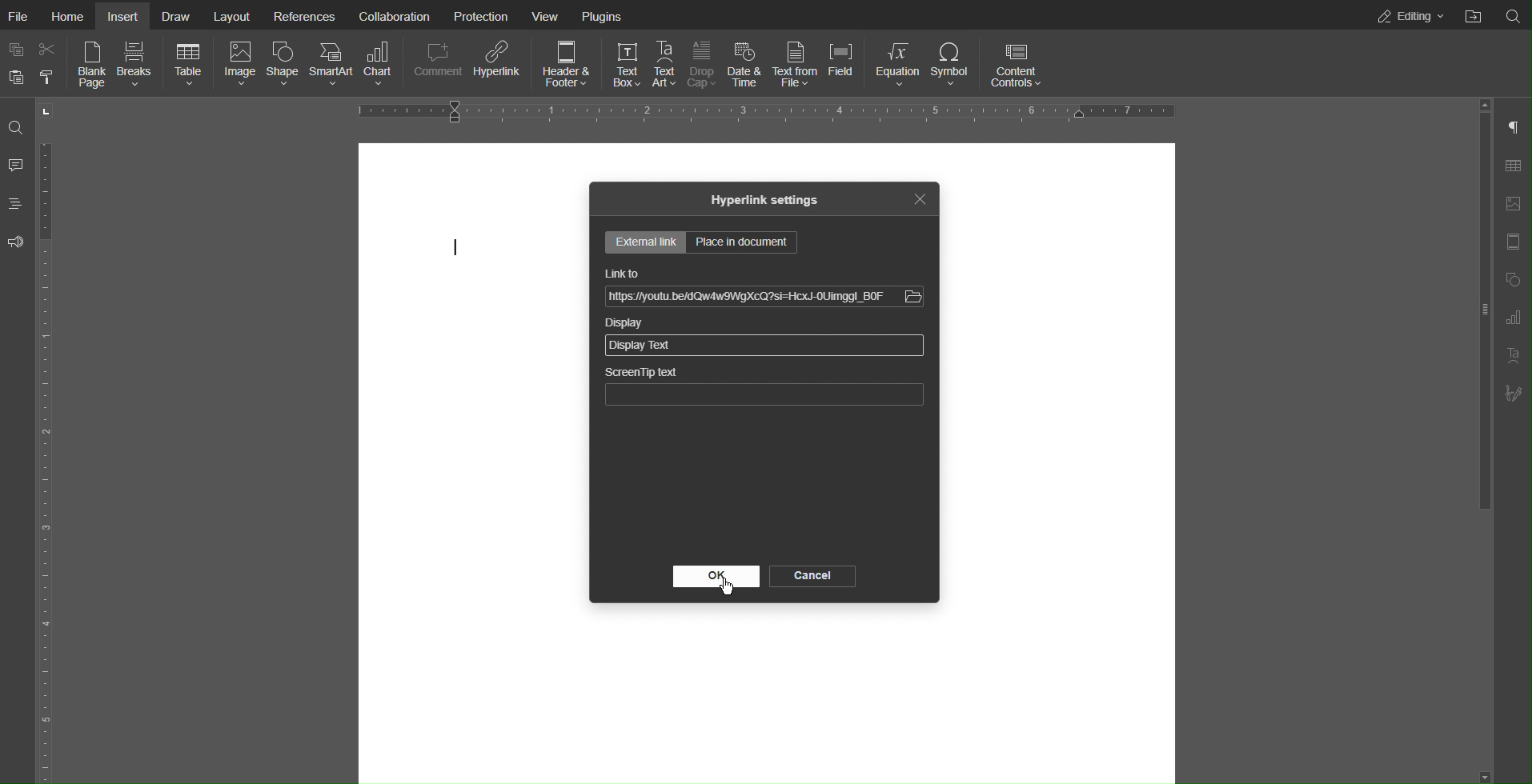 This screenshot has width=1532, height=784. What do you see at coordinates (812, 576) in the screenshot?
I see `Cancel` at bounding box center [812, 576].